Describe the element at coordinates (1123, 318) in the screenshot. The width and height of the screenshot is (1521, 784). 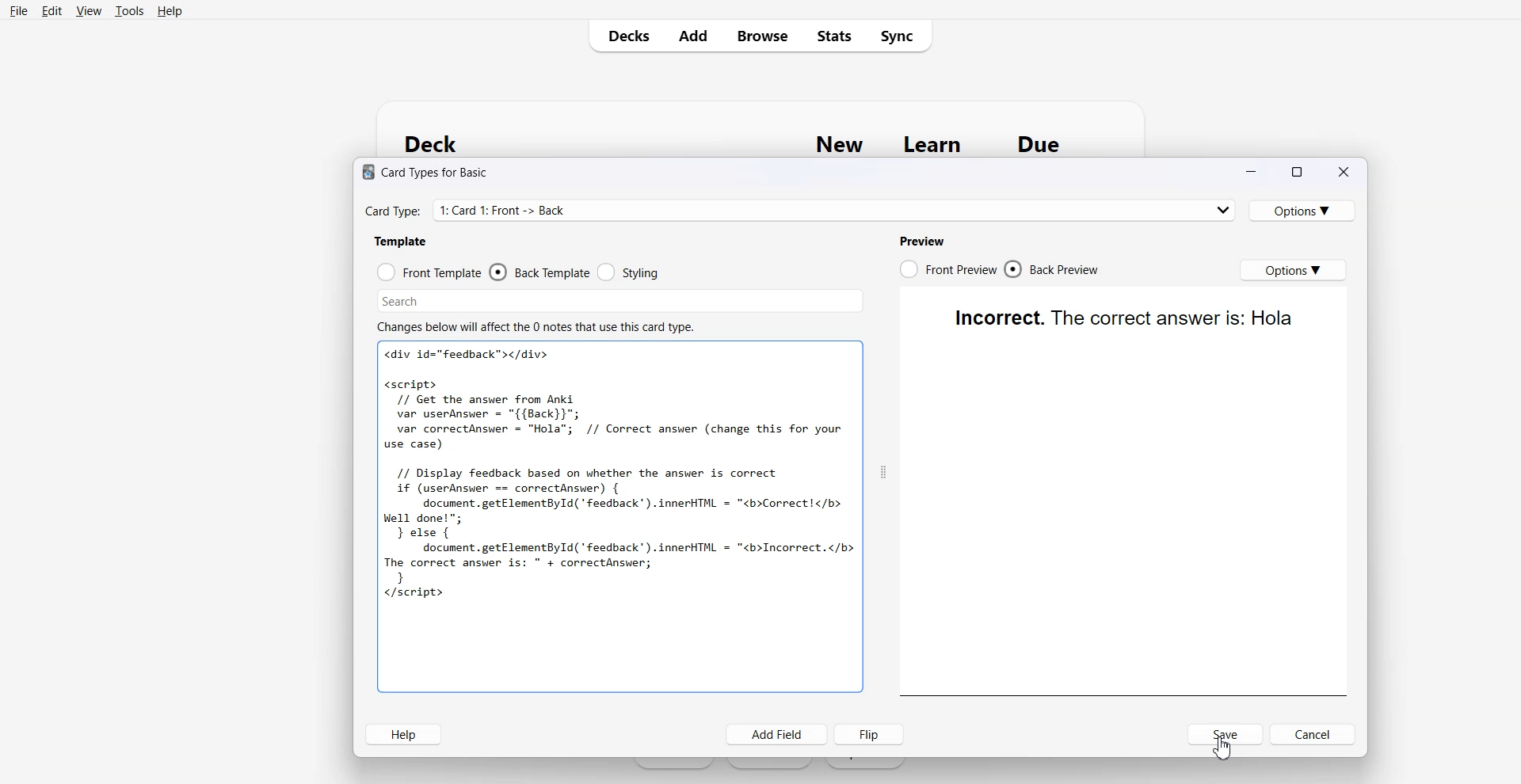
I see `Incorrect. The correct answer is: Hola` at that location.